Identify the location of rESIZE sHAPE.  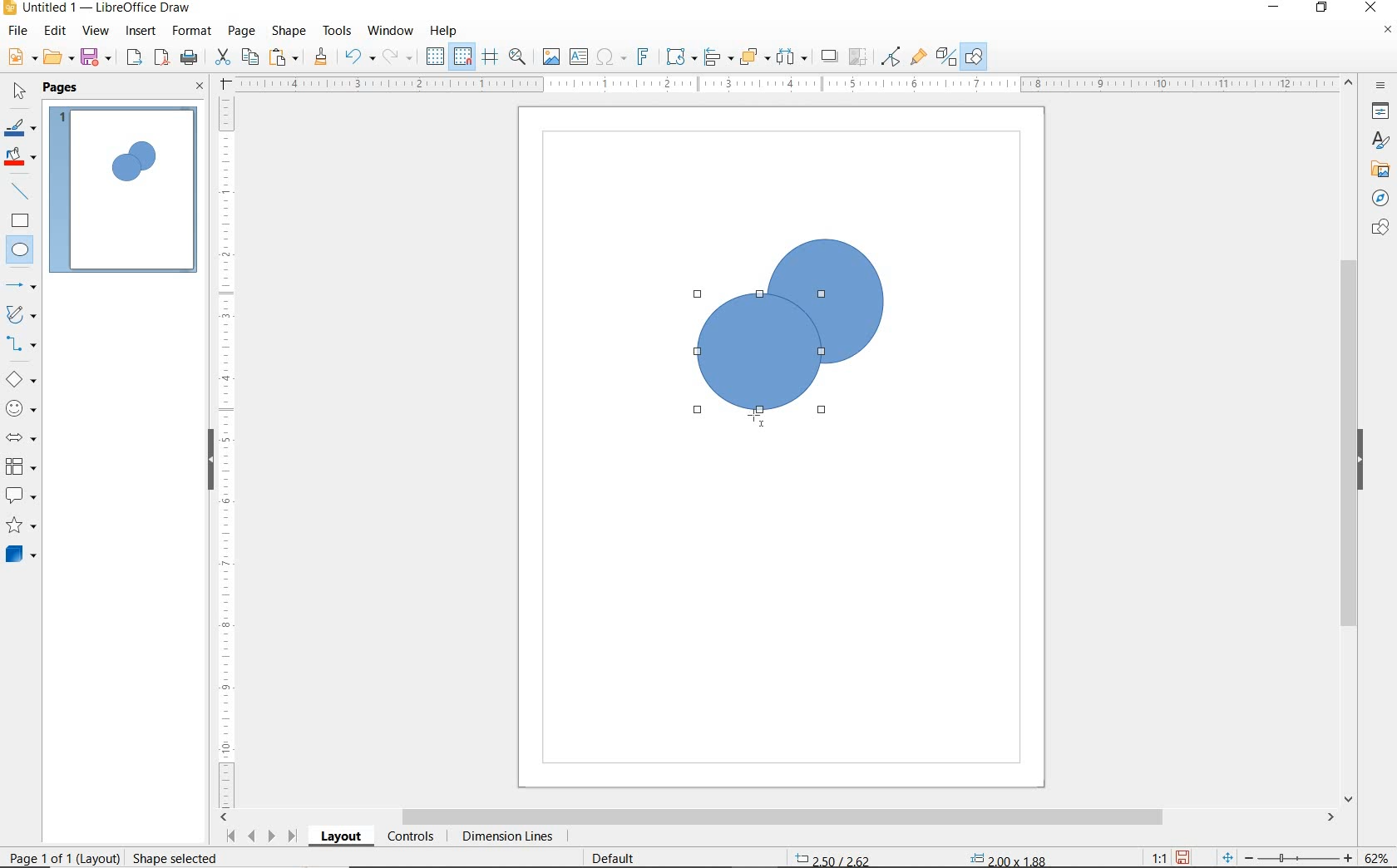
(168, 857).